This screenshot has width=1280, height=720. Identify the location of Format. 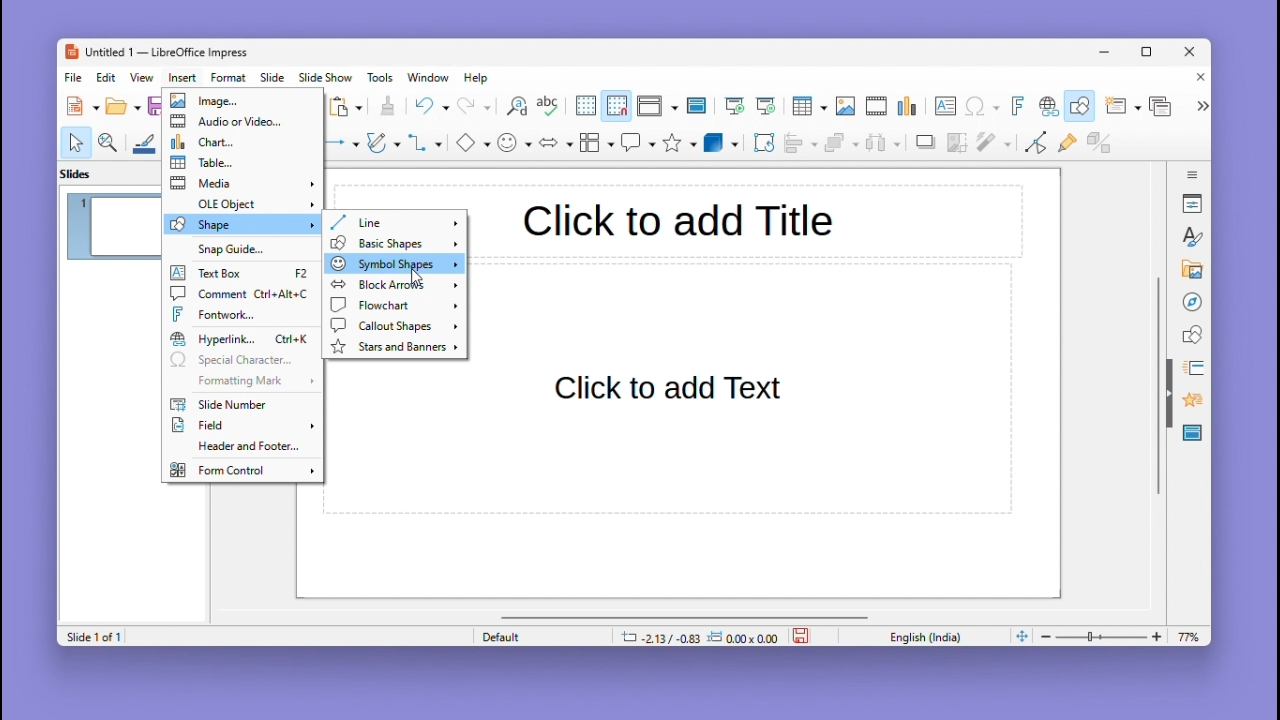
(229, 77).